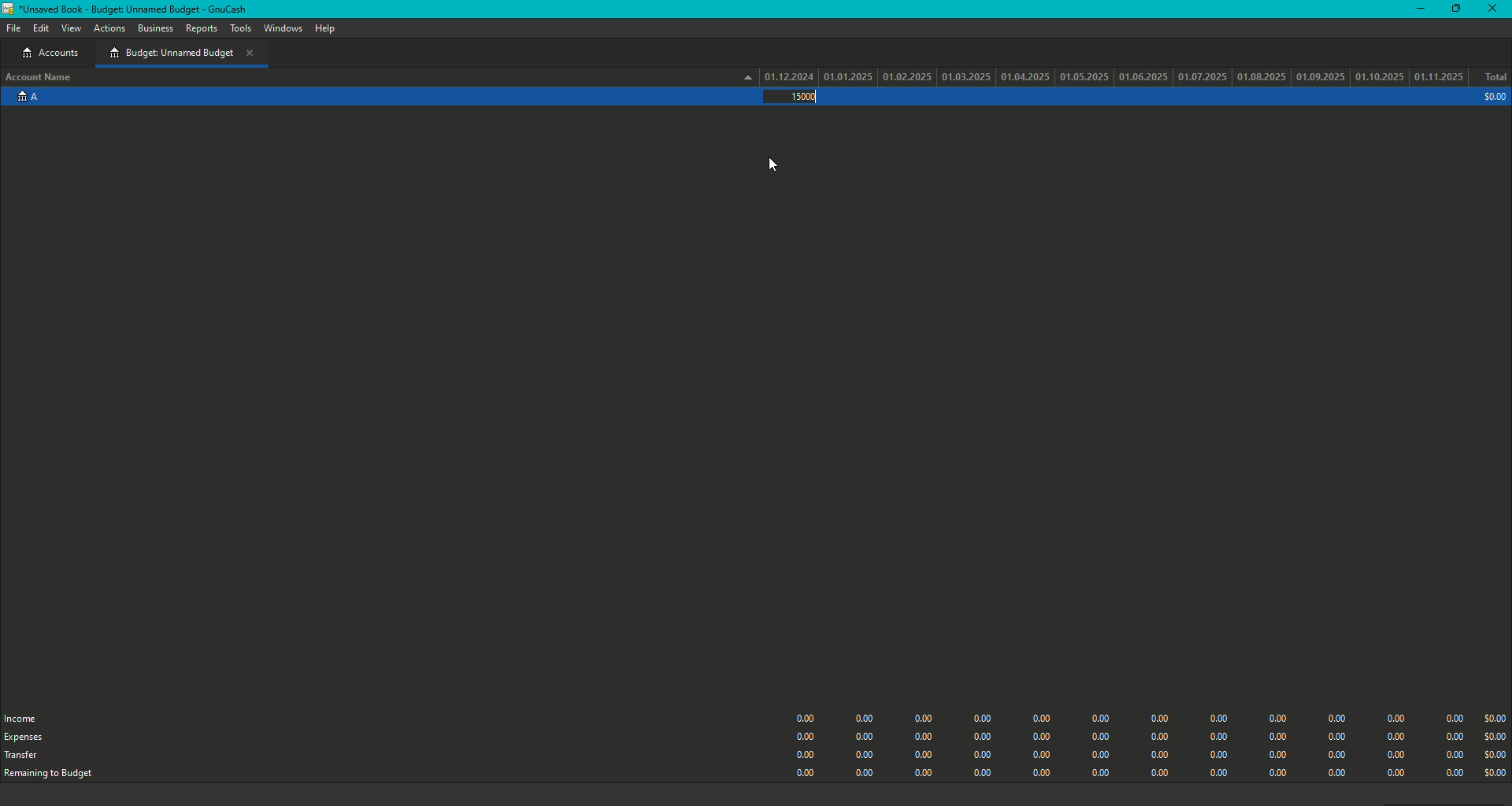  I want to click on Account name, so click(41, 79).